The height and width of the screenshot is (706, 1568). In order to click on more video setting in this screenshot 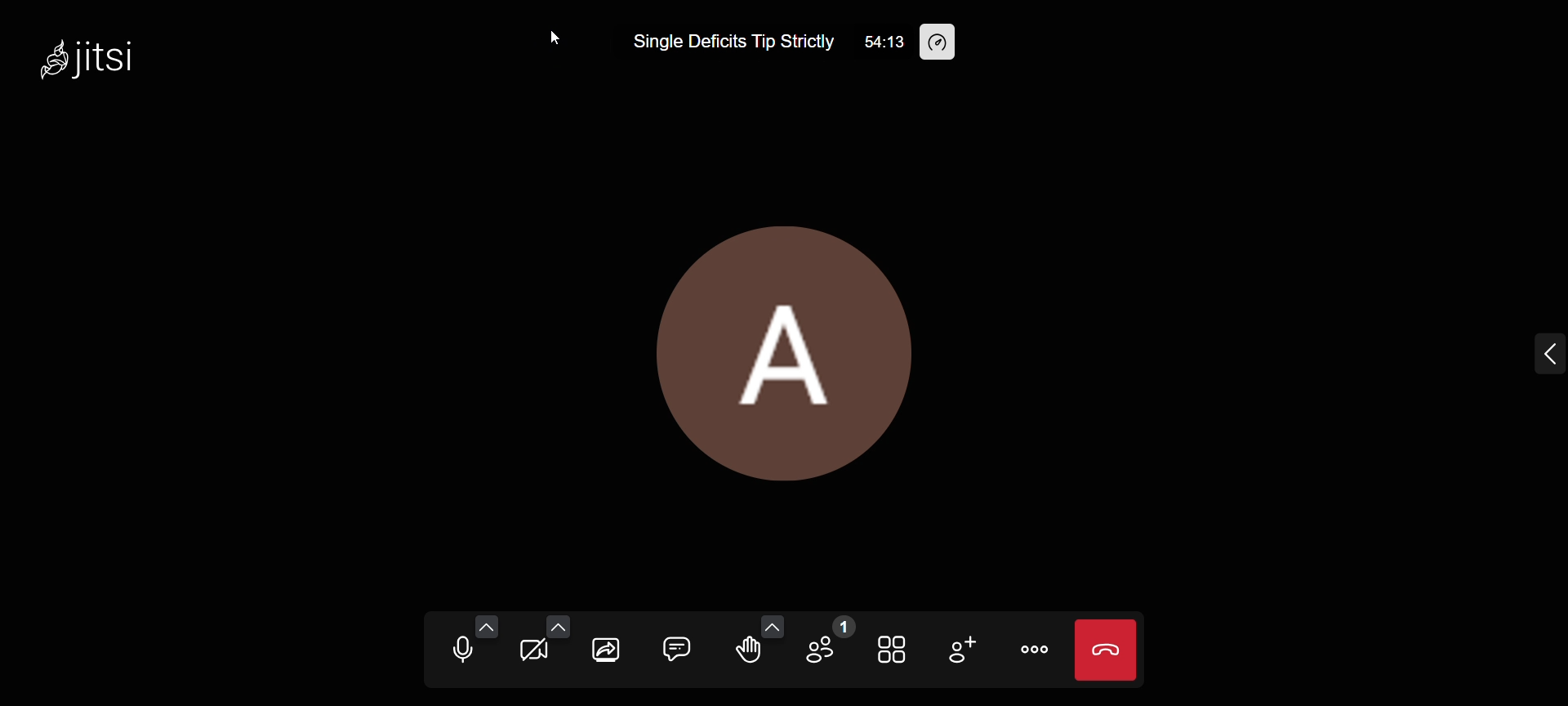, I will do `click(557, 626)`.